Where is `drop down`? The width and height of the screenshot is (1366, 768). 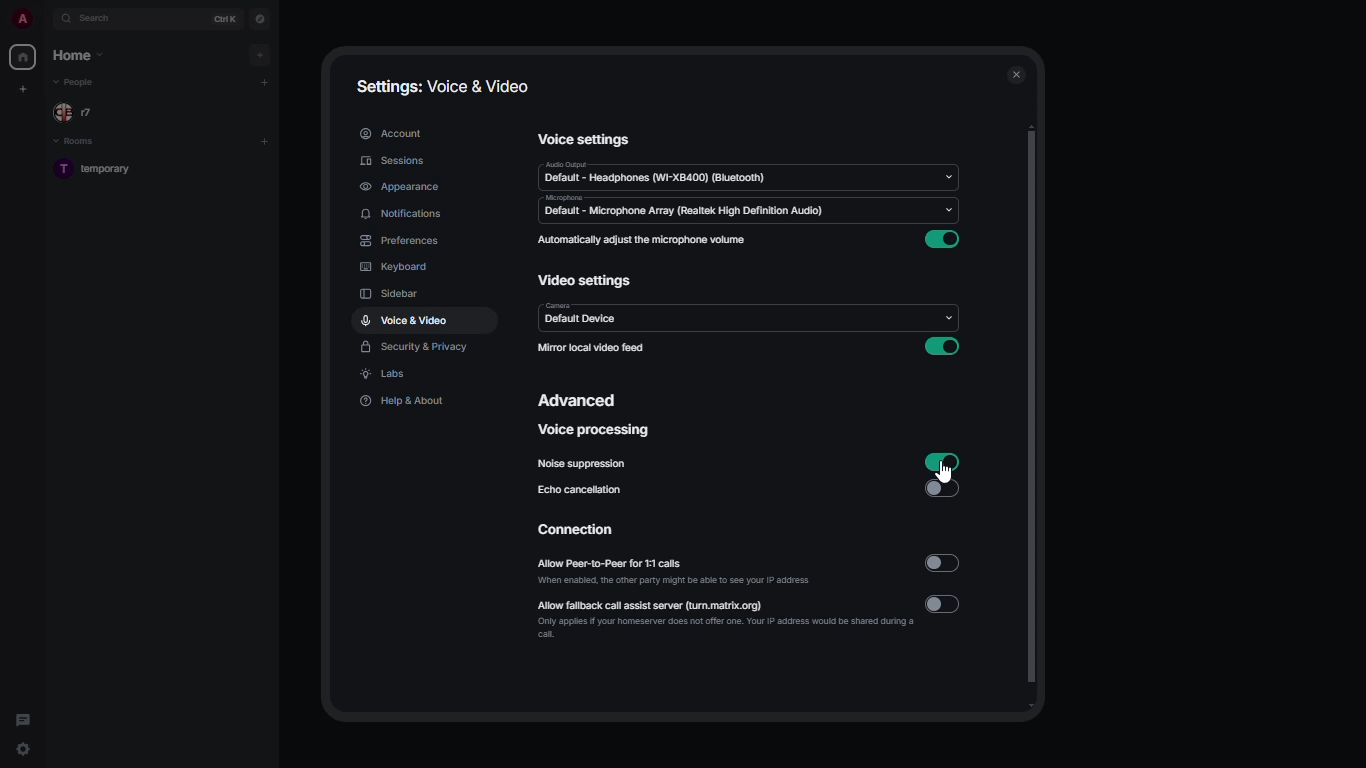
drop down is located at coordinates (953, 216).